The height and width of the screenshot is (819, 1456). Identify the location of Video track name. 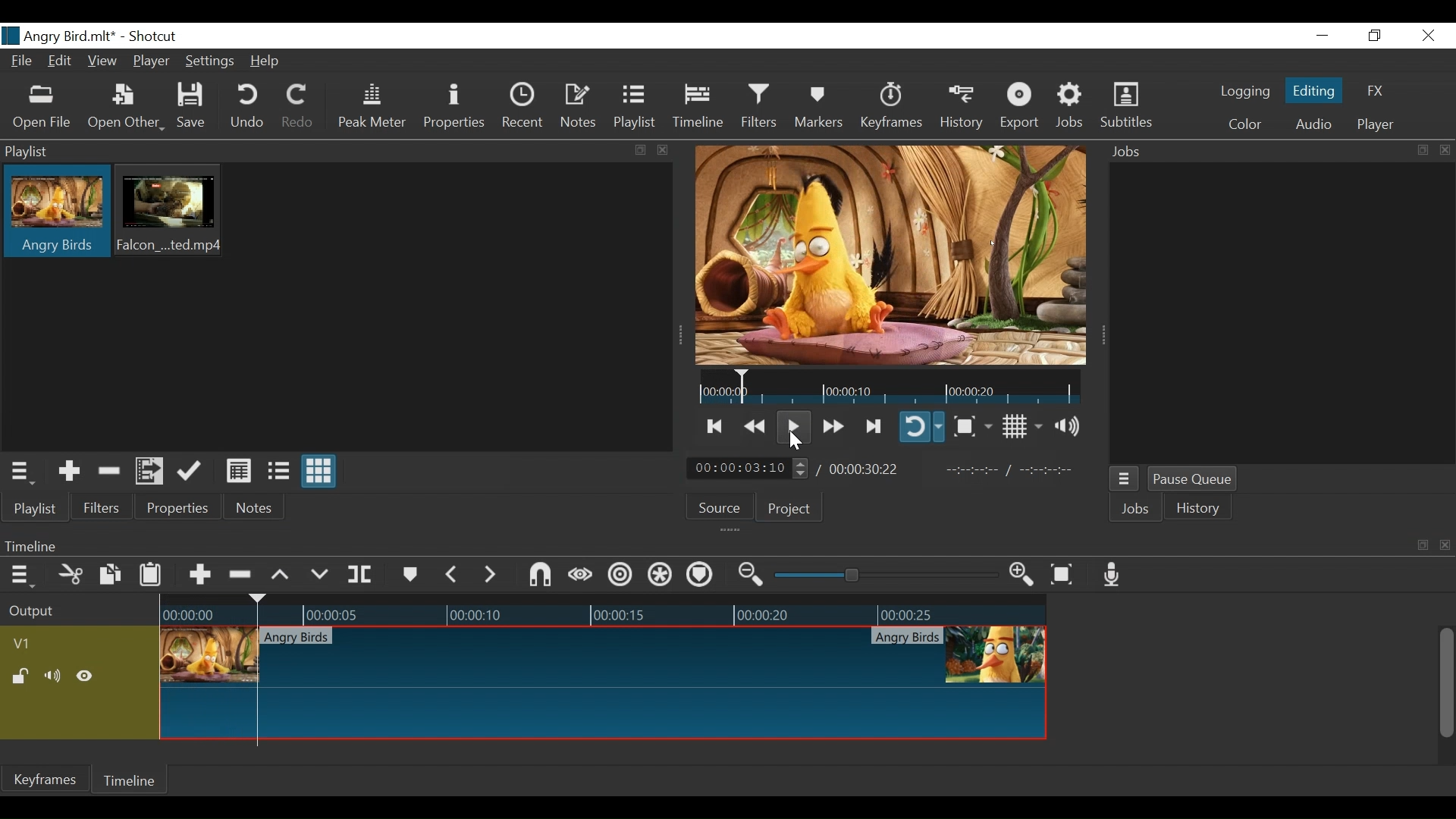
(33, 644).